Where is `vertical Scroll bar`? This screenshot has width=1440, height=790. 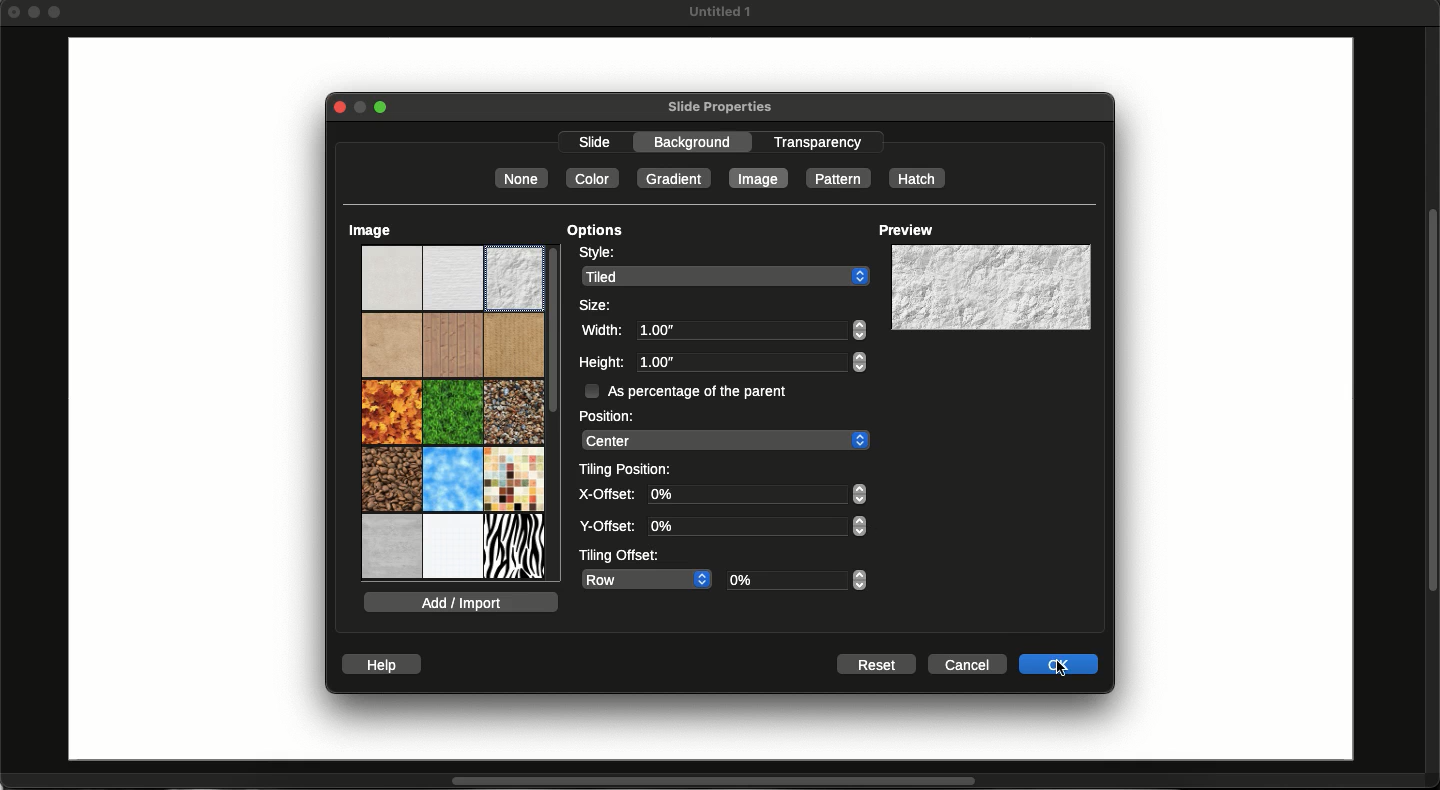 vertical Scroll bar is located at coordinates (1431, 398).